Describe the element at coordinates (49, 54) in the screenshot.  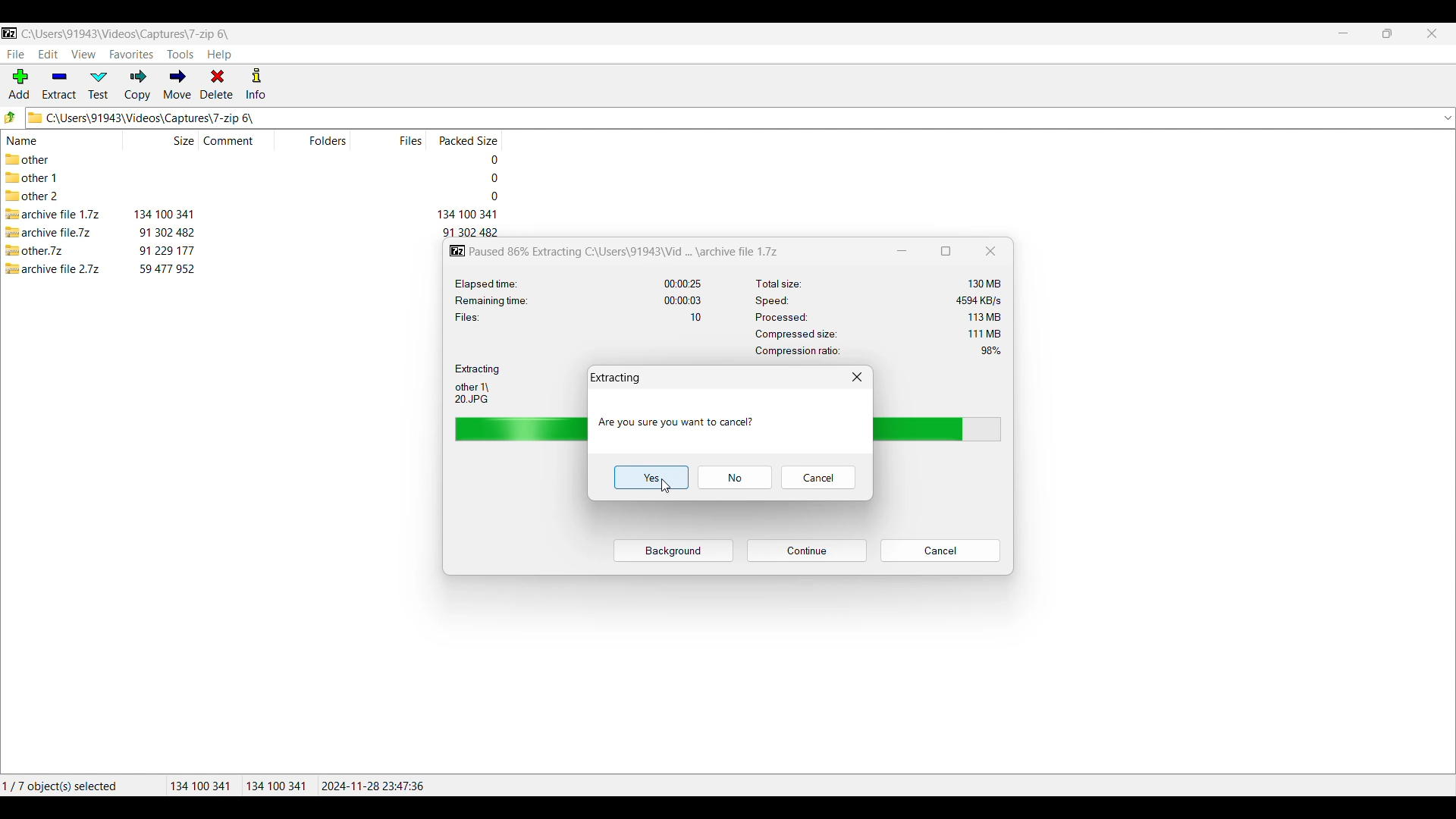
I see `Edit menu` at that location.